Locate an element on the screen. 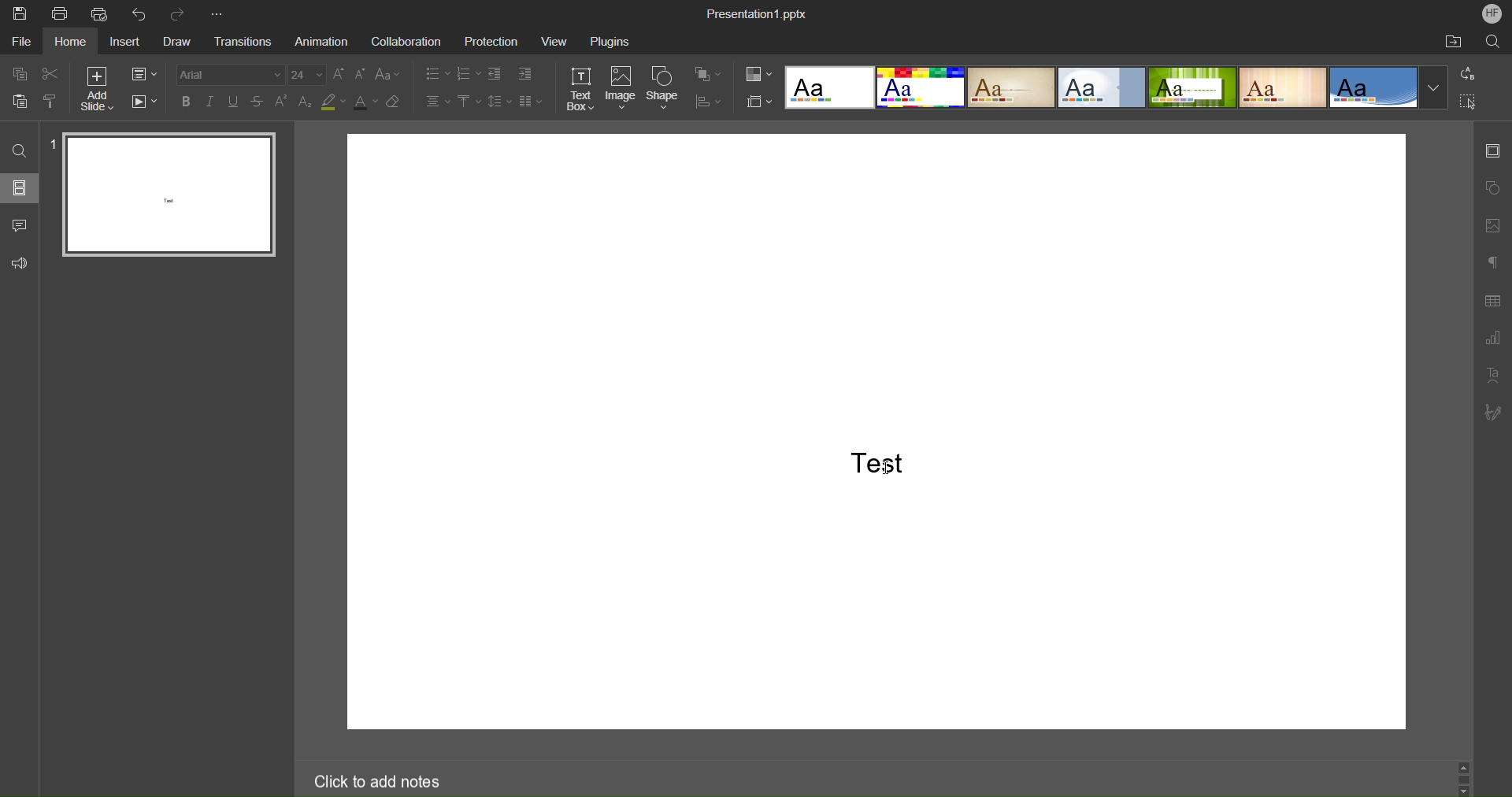 This screenshot has width=1512, height=797. Text Art is located at coordinates (1492, 375).